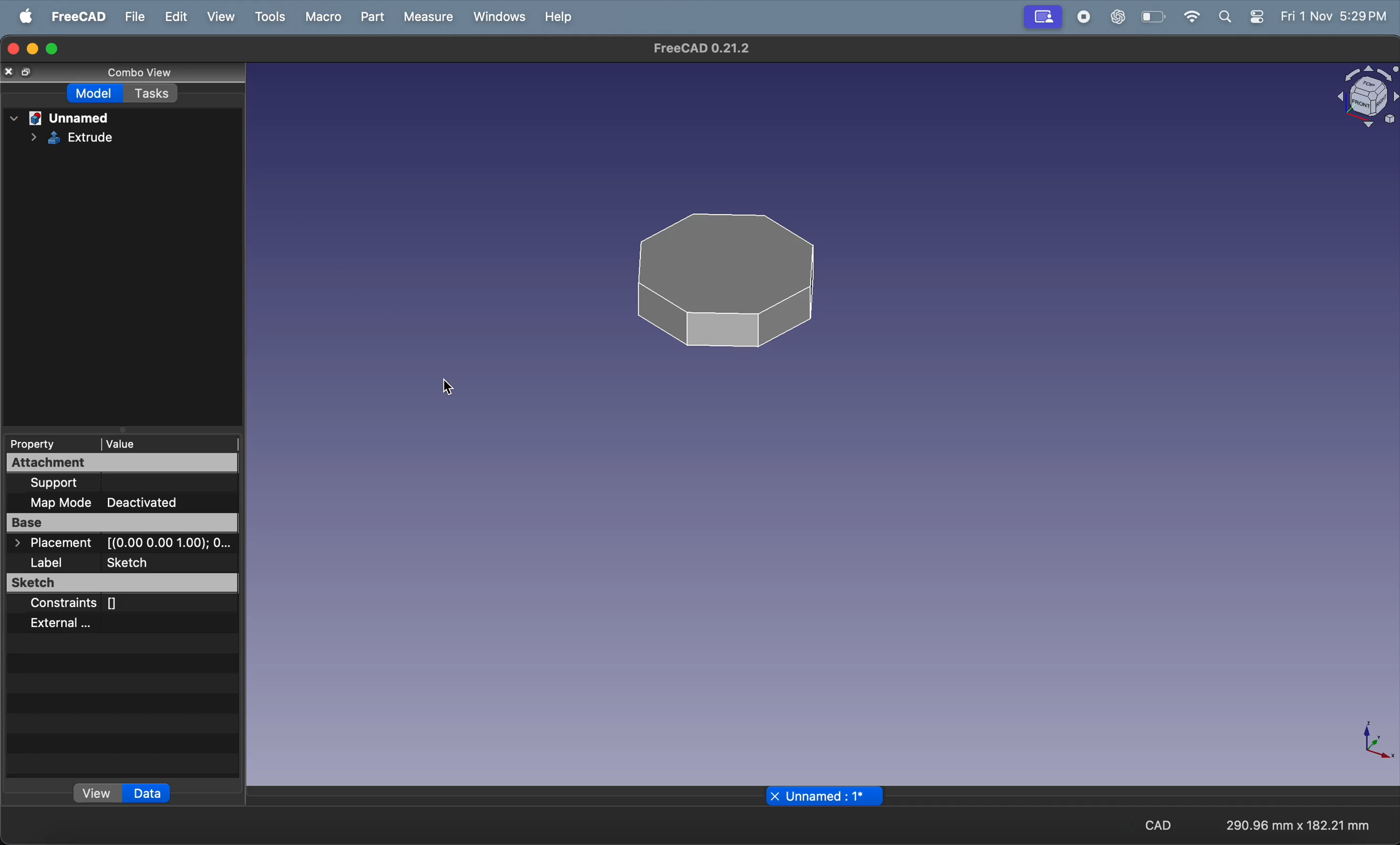  Describe the element at coordinates (44, 564) in the screenshot. I see `label` at that location.